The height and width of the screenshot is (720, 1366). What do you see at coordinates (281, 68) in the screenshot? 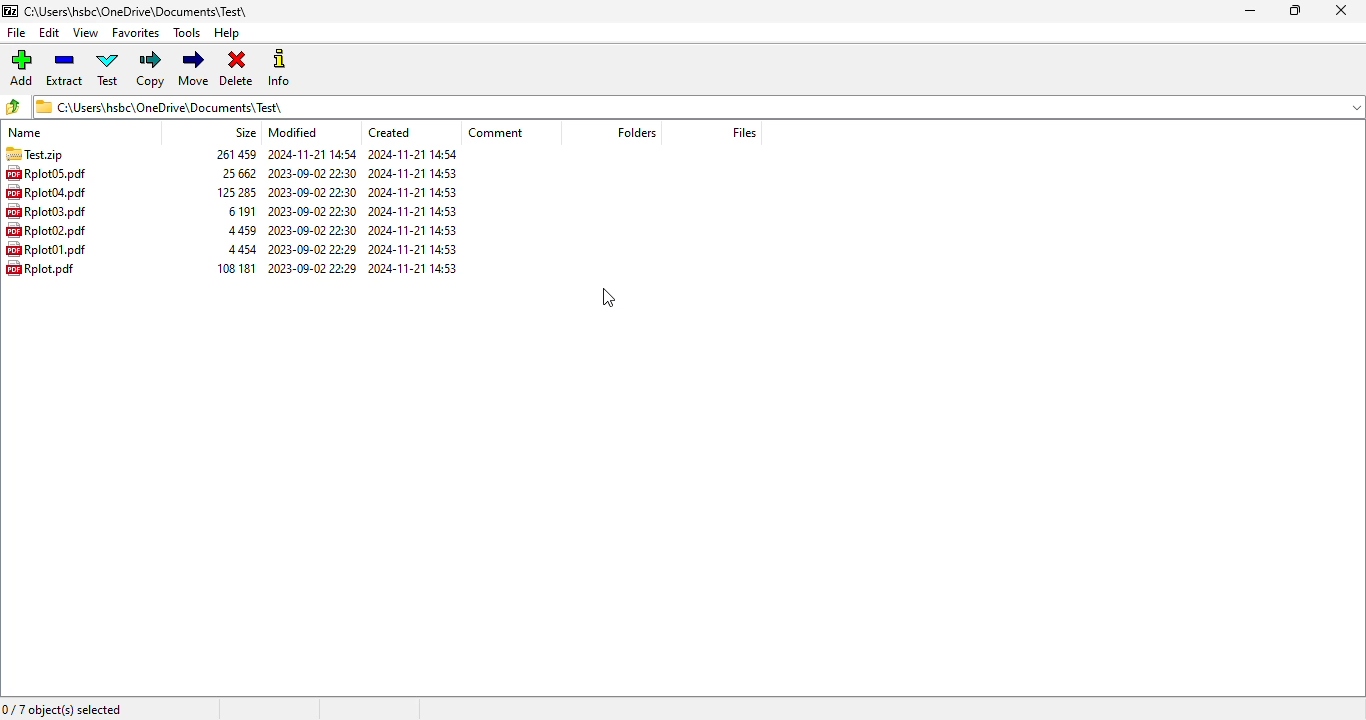
I see `info` at bounding box center [281, 68].